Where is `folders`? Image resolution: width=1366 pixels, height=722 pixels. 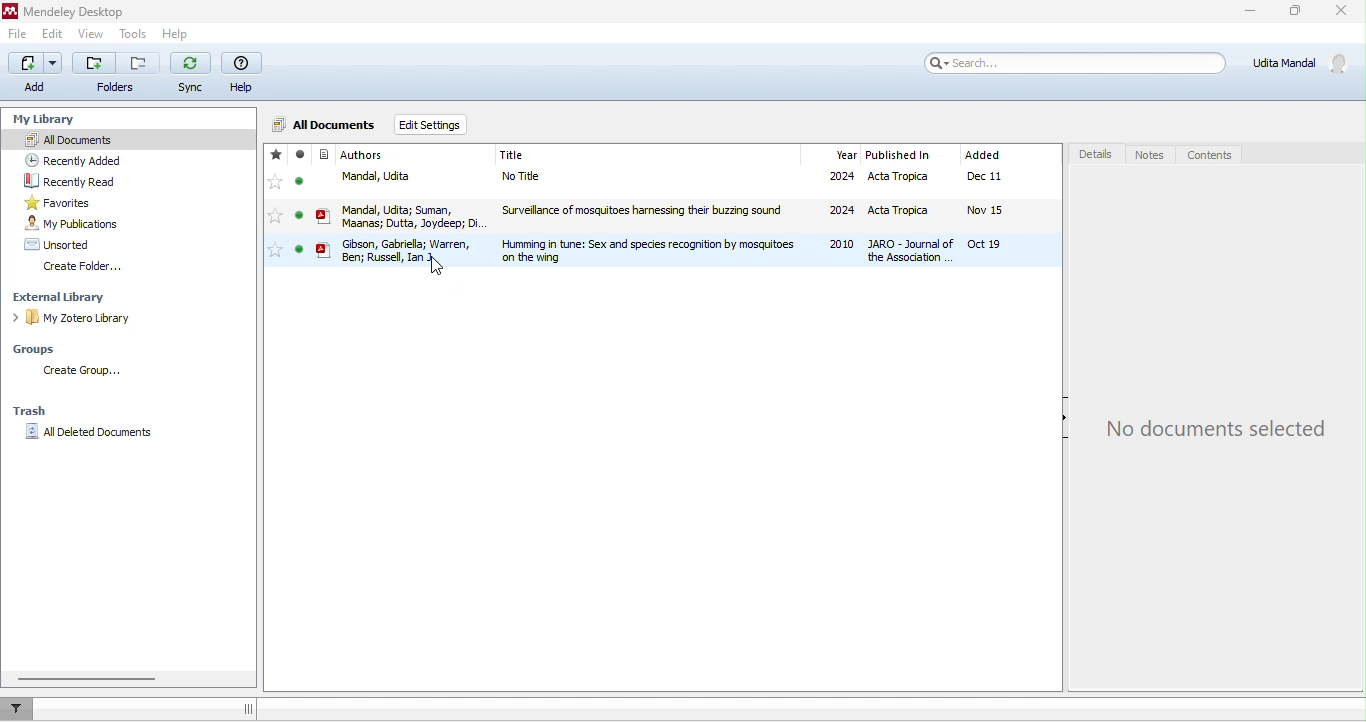
folders is located at coordinates (114, 74).